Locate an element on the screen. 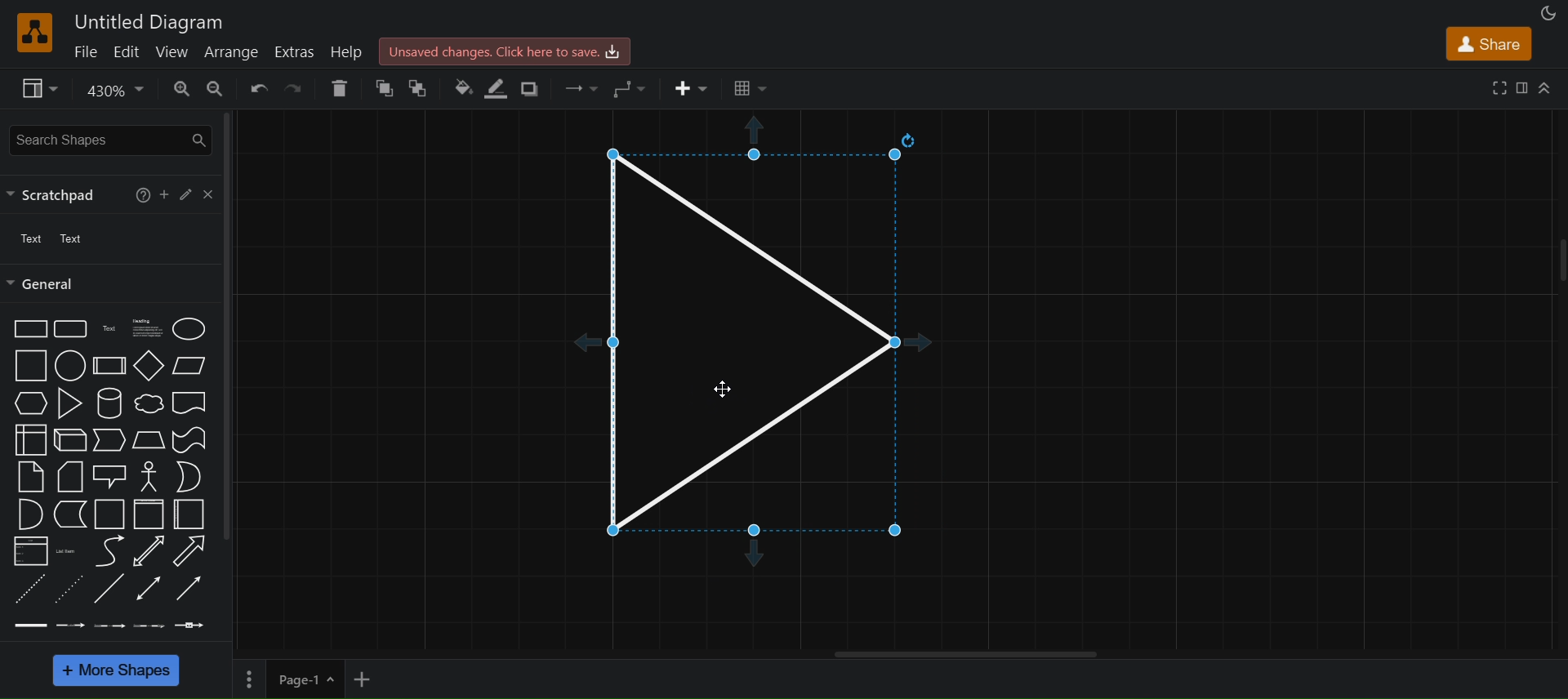 The image size is (1568, 699). redo is located at coordinates (294, 88).